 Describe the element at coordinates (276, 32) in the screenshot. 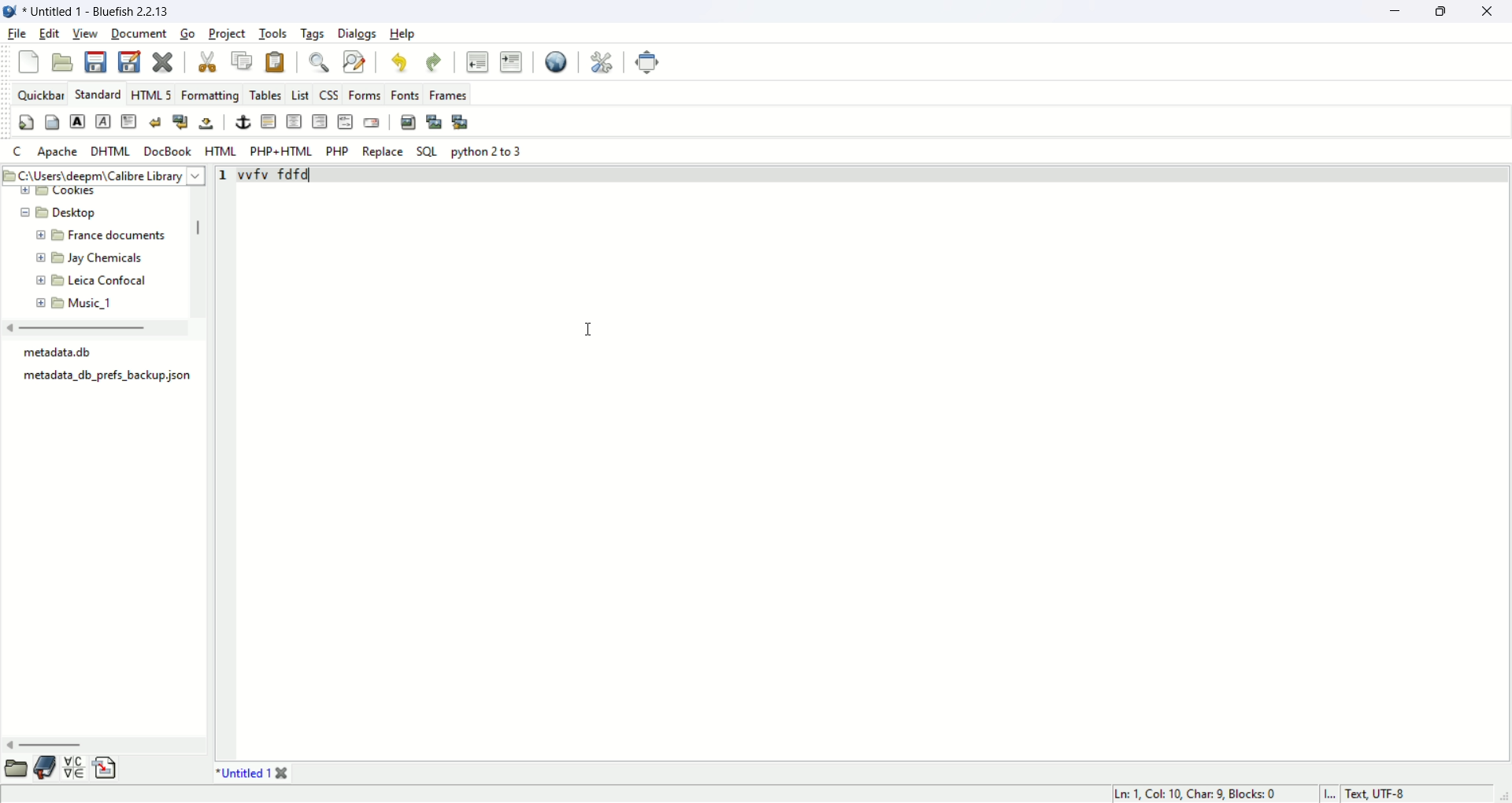

I see `tools` at that location.